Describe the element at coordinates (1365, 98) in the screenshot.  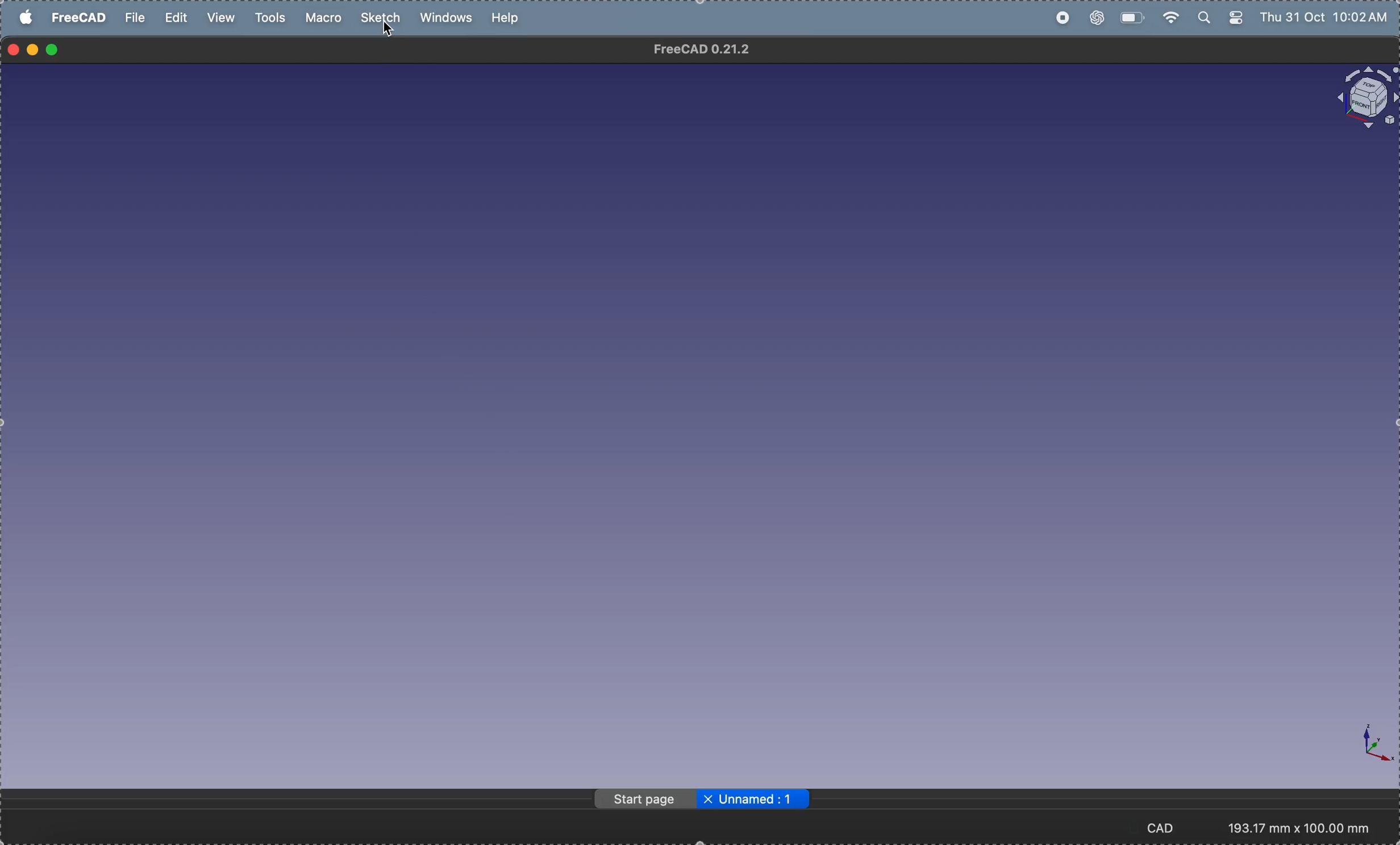
I see `object view` at that location.